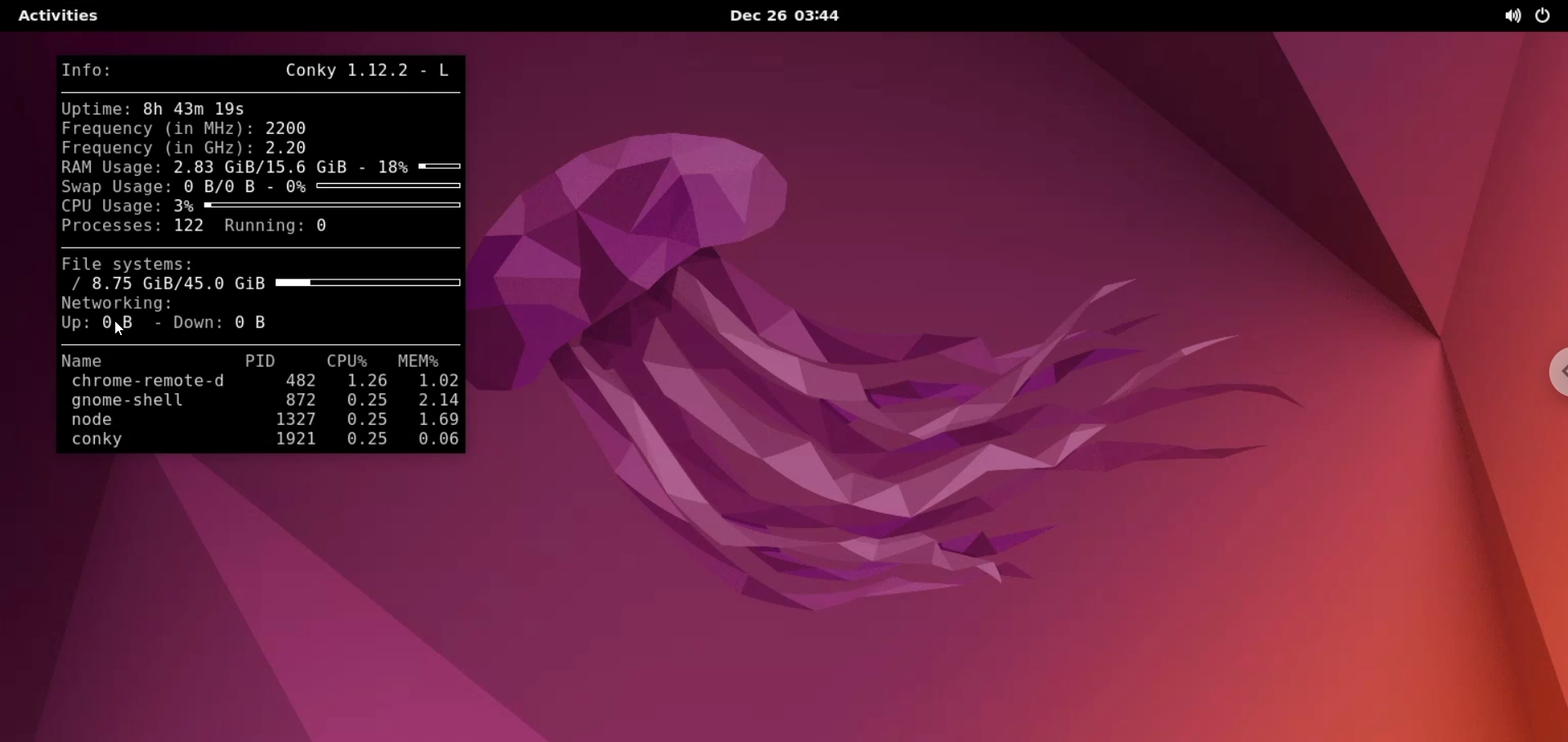 Image resolution: width=1568 pixels, height=742 pixels. Describe the element at coordinates (95, 364) in the screenshot. I see `Name` at that location.